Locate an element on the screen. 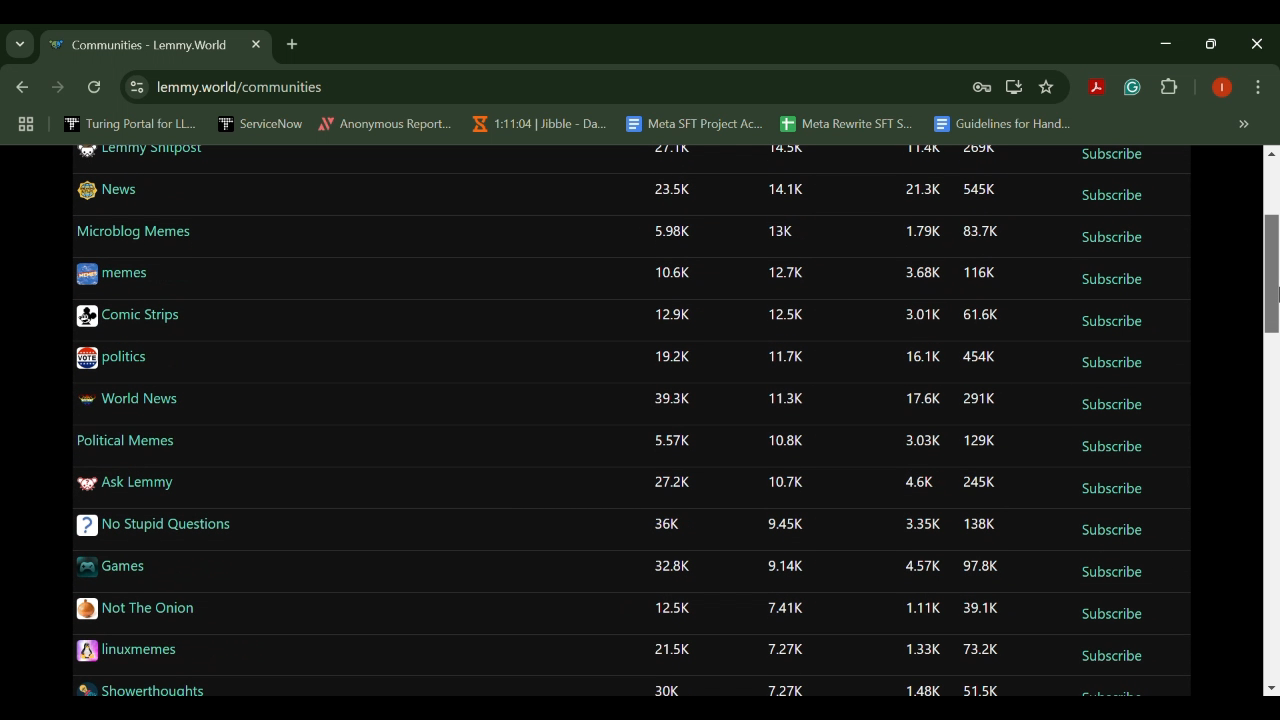 This screenshot has height=720, width=1280. 11.7K is located at coordinates (784, 357).